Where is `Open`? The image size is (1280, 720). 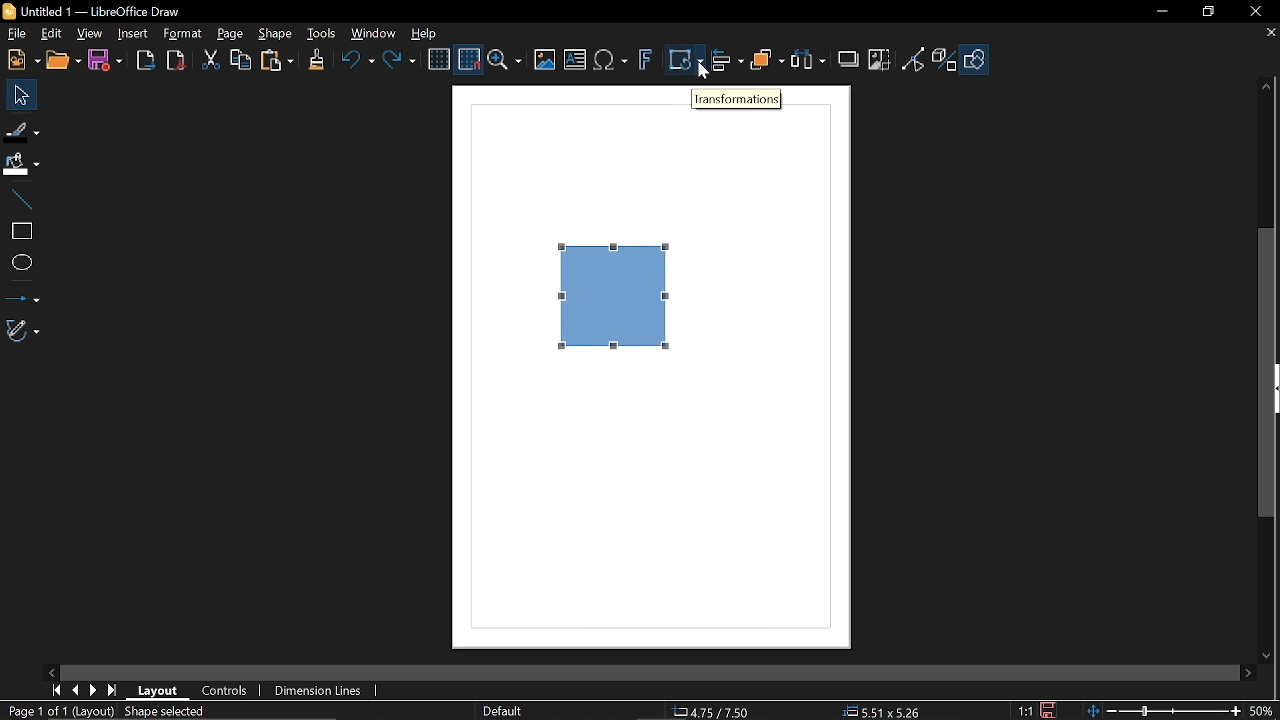 Open is located at coordinates (64, 60).